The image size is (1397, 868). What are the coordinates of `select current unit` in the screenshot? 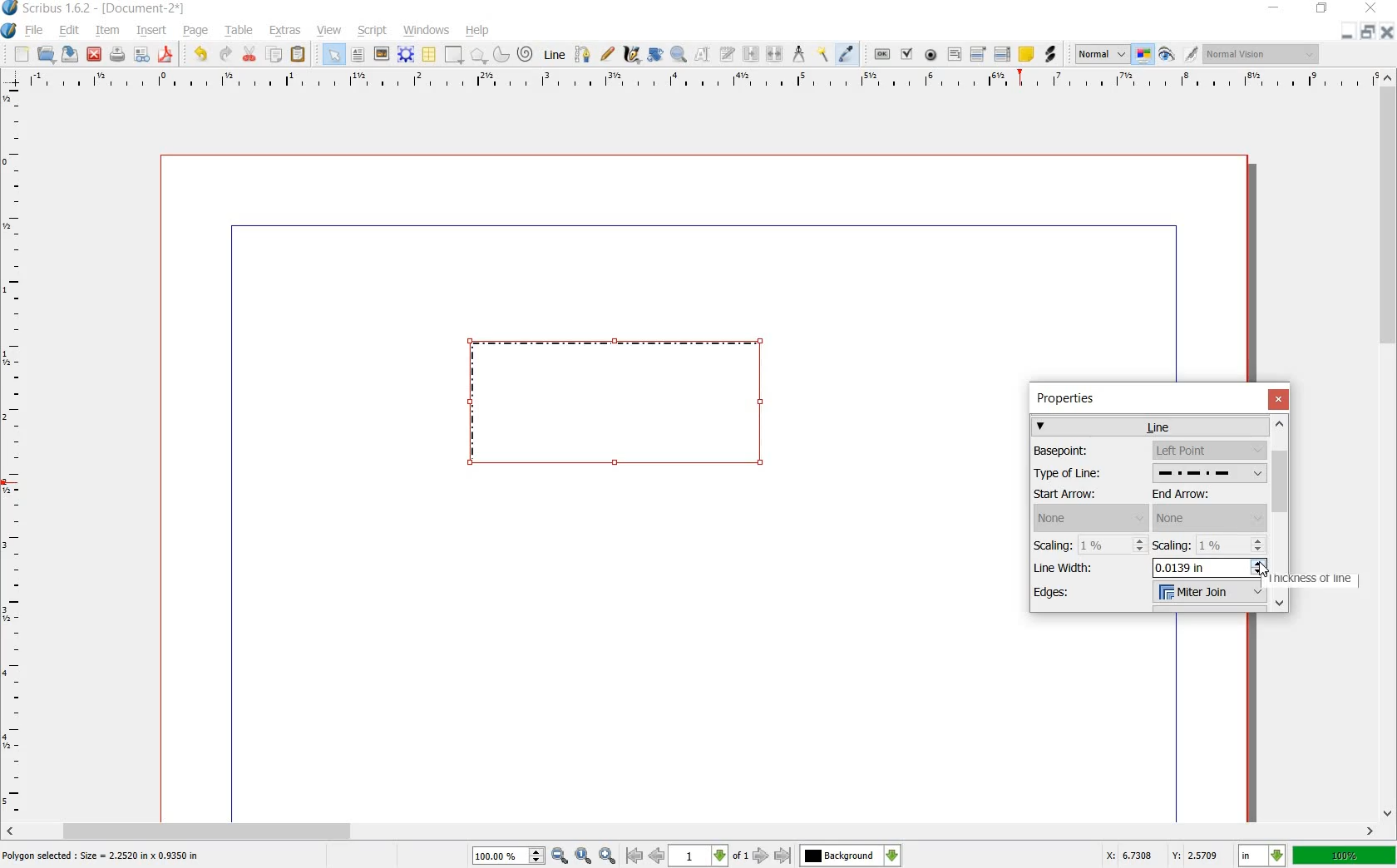 It's located at (1260, 856).